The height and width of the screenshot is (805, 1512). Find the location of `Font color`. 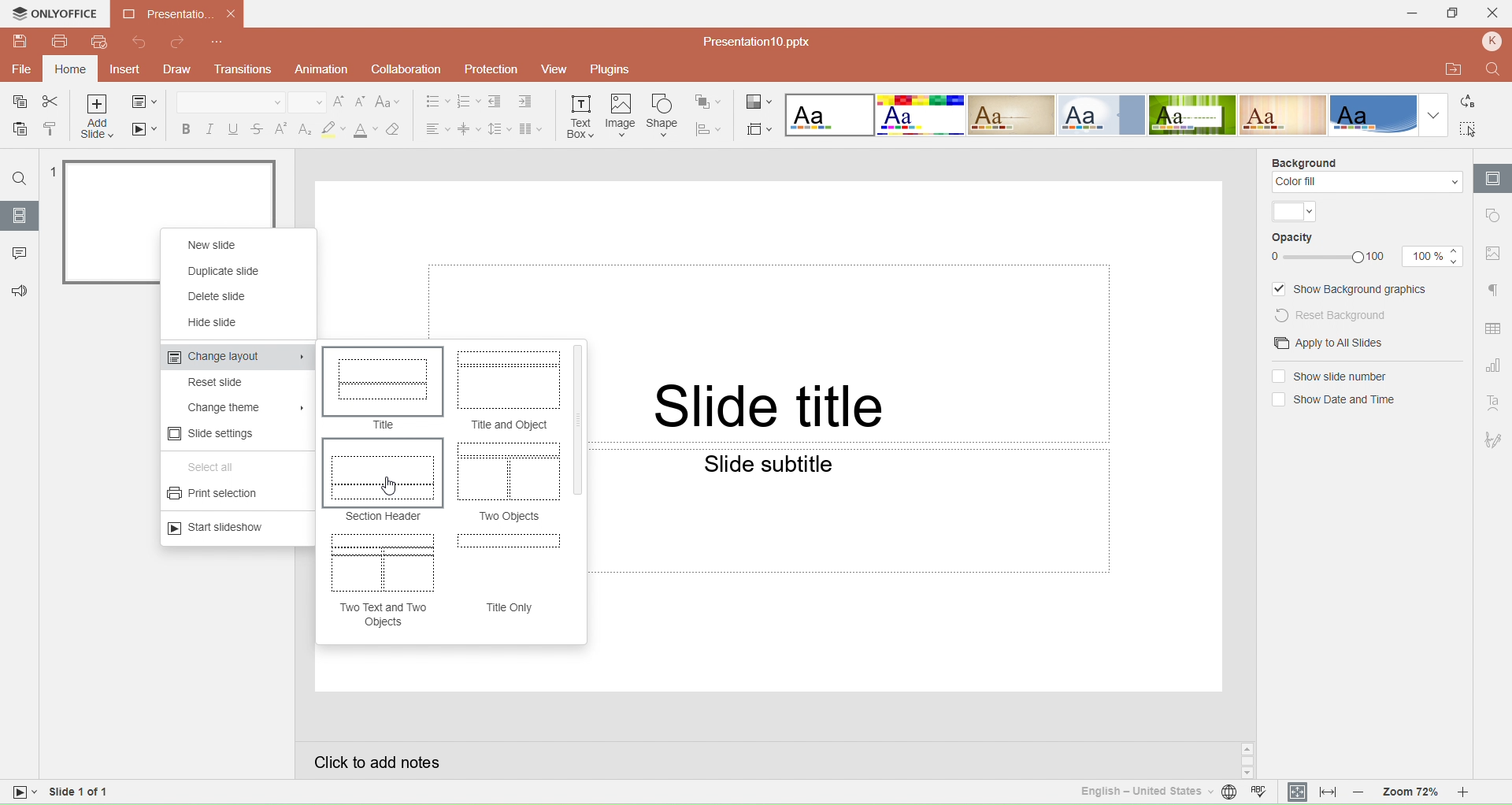

Font color is located at coordinates (365, 130).